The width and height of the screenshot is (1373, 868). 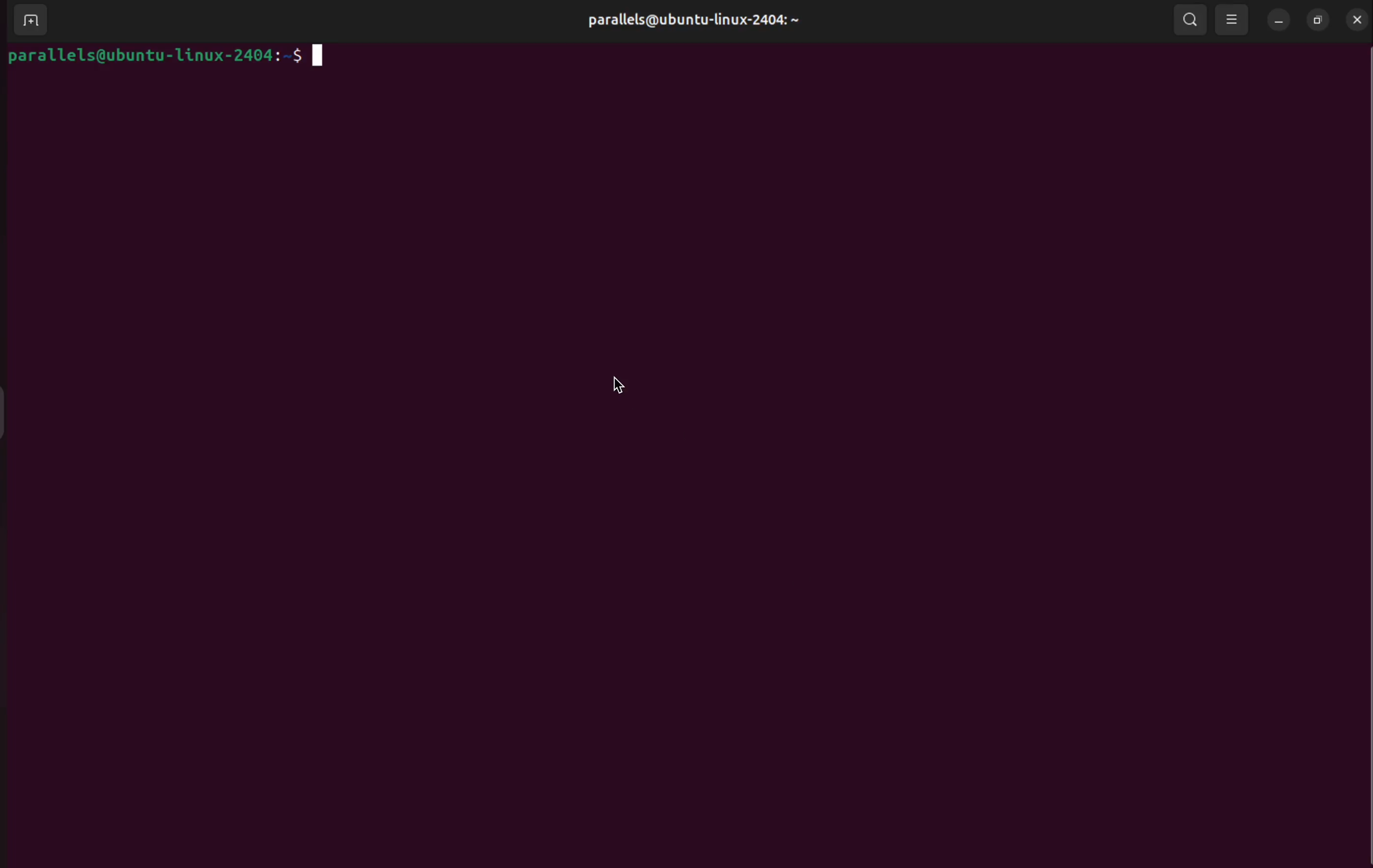 I want to click on minimum, so click(x=1279, y=20).